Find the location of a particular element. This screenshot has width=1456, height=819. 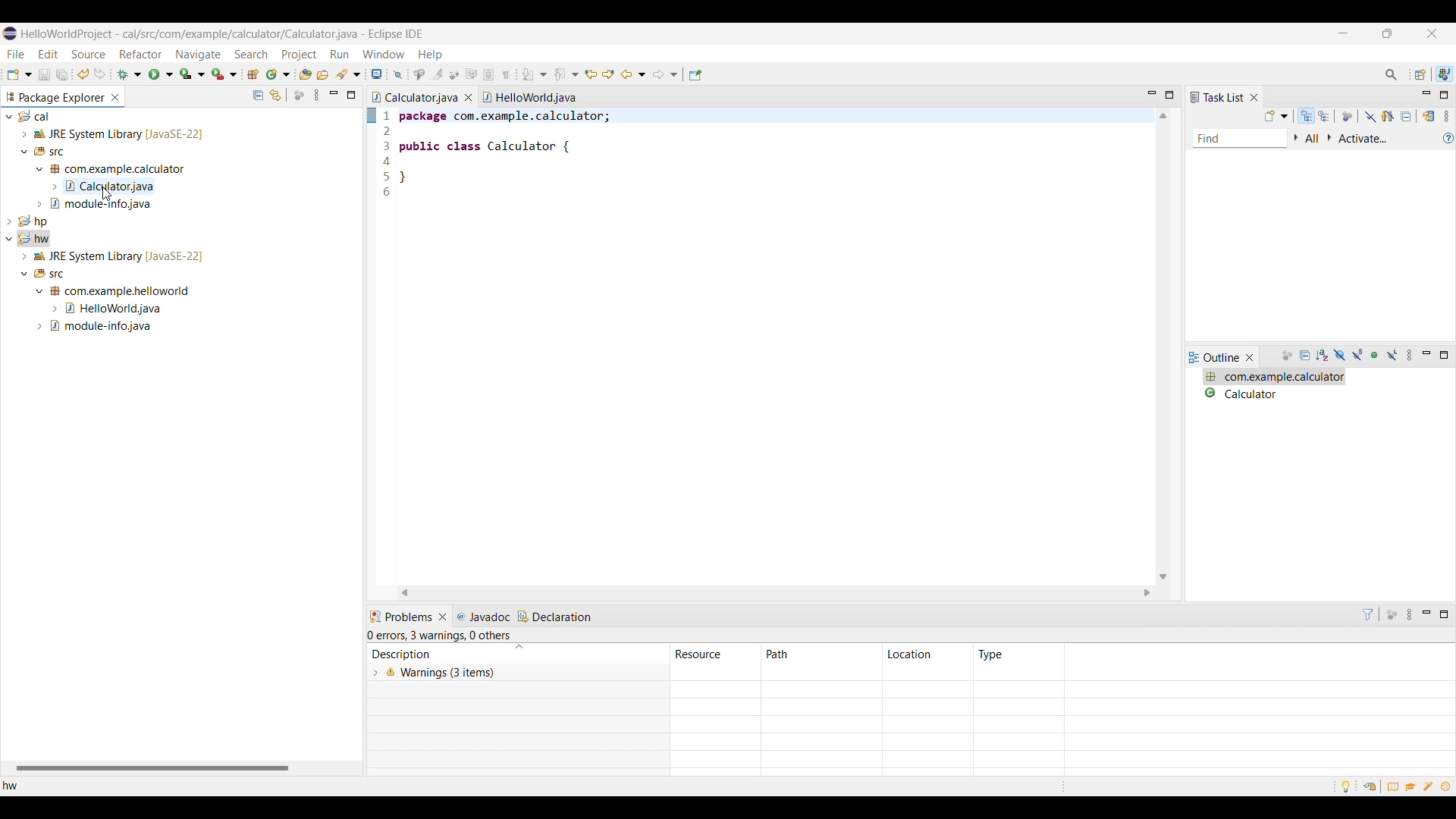

Minimize is located at coordinates (1426, 355).